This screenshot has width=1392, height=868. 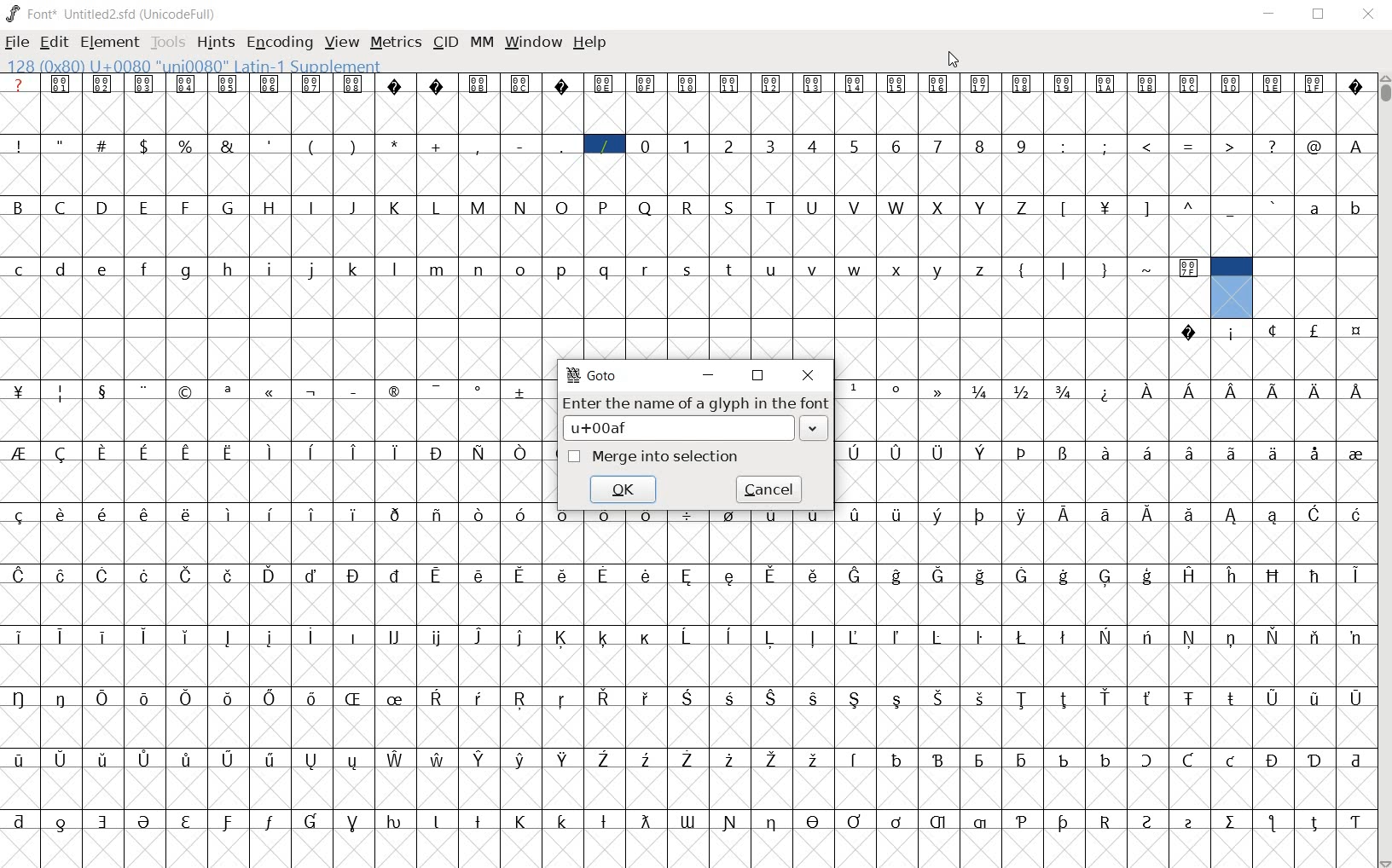 I want to click on Symbol, so click(x=731, y=823).